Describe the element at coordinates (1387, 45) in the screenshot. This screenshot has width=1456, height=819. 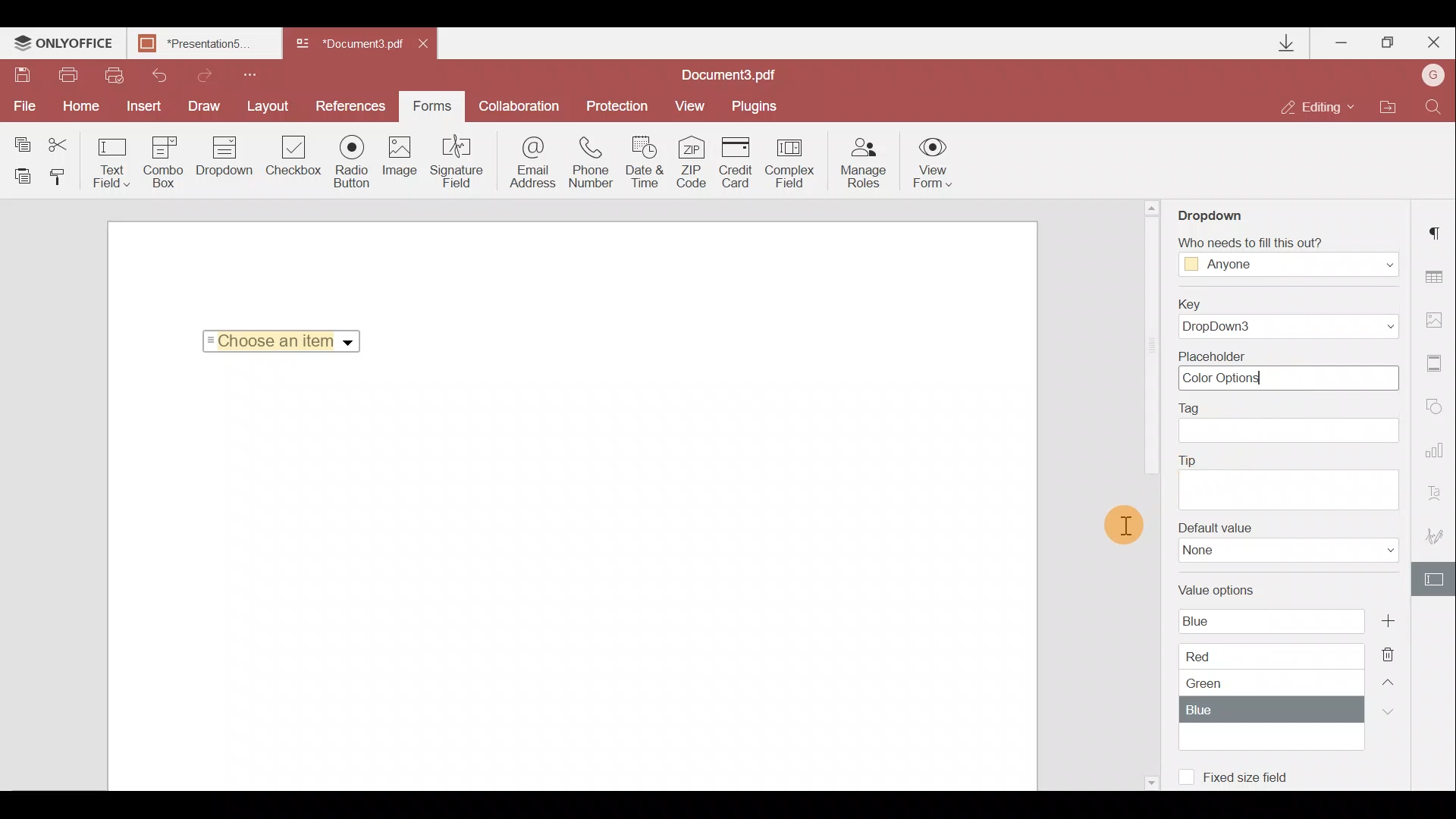
I see `Maximize` at that location.